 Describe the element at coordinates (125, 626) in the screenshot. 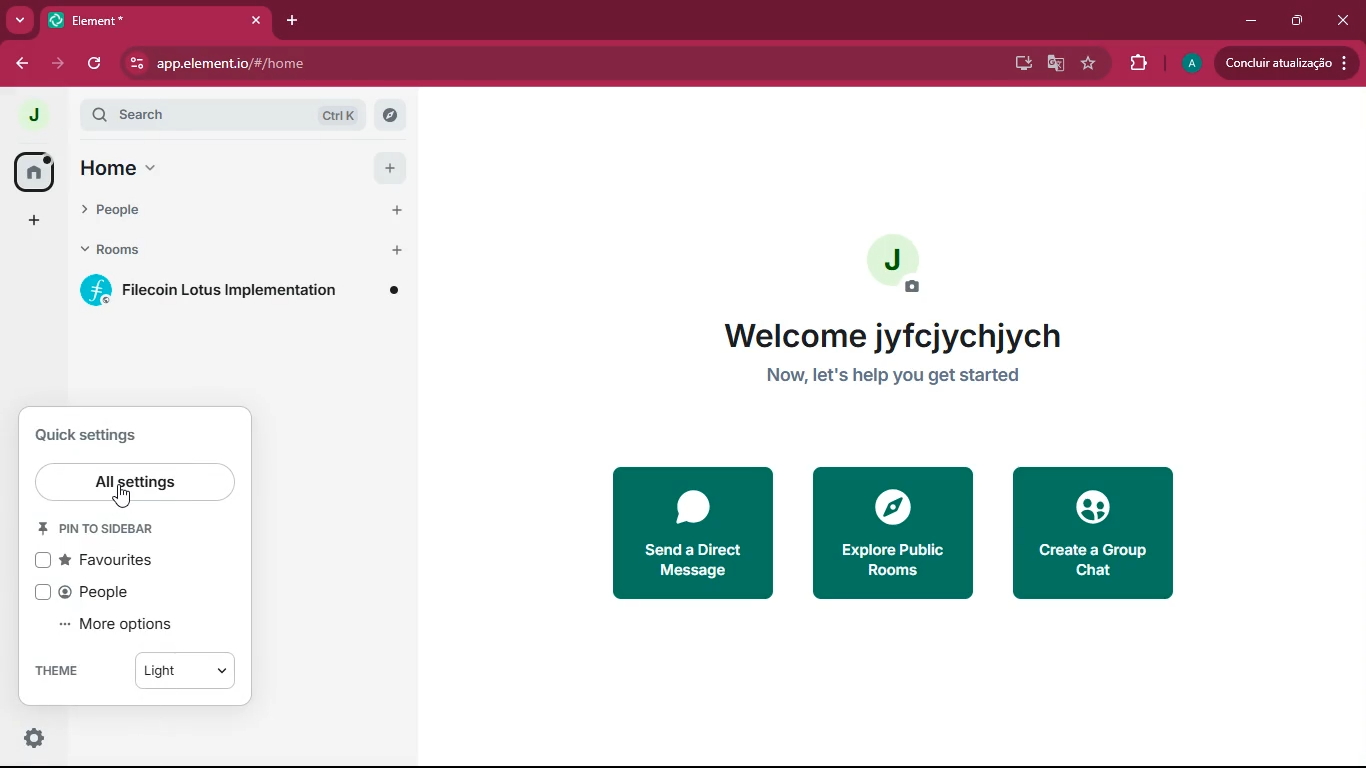

I see `more options` at that location.